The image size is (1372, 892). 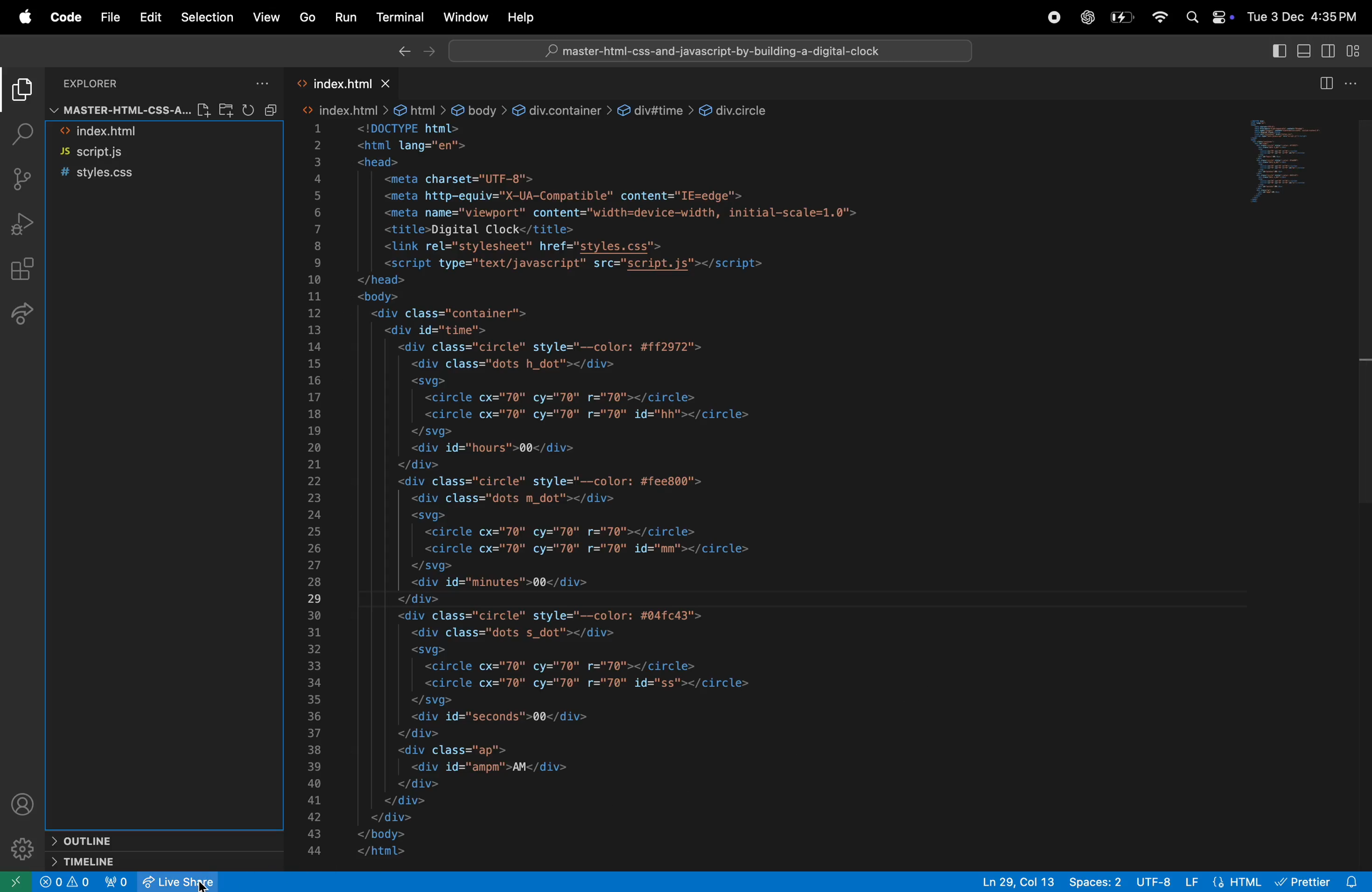 What do you see at coordinates (1144, 881) in the screenshot?
I see `utf 8` at bounding box center [1144, 881].